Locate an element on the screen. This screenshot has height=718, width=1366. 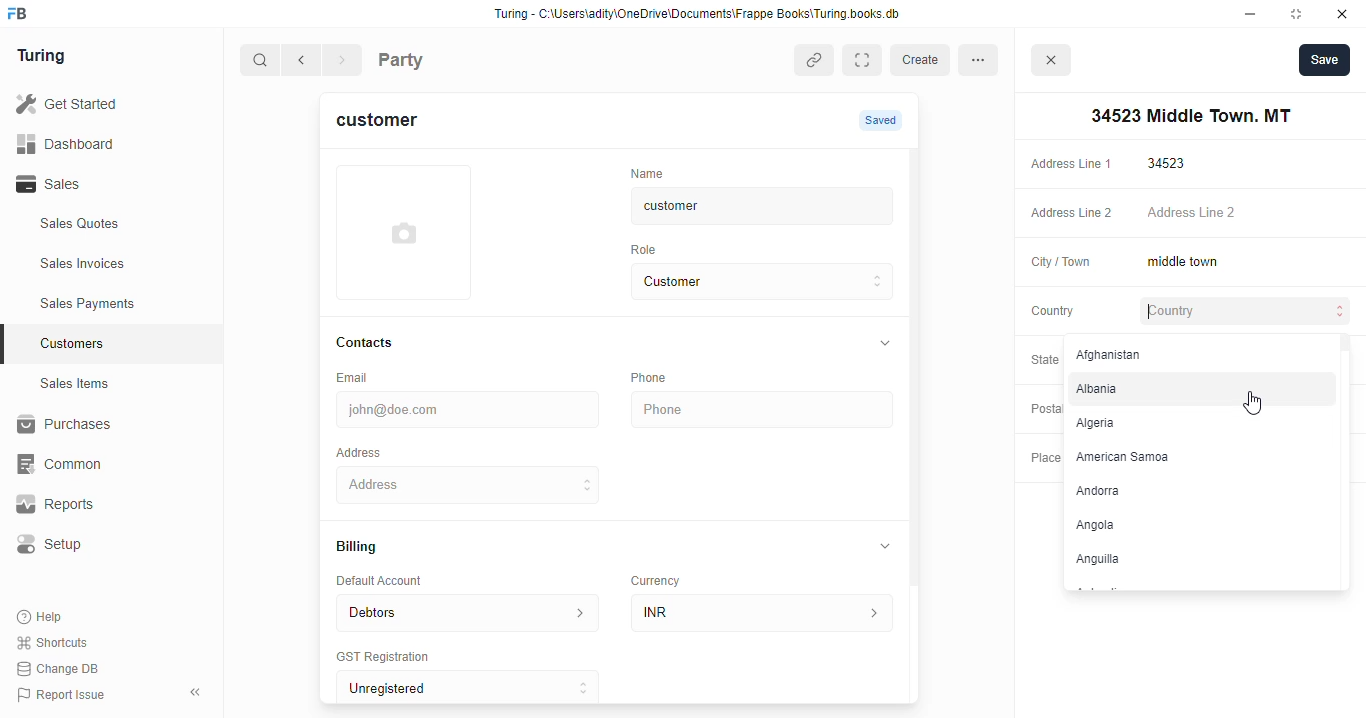
Sales Quotes is located at coordinates (107, 226).